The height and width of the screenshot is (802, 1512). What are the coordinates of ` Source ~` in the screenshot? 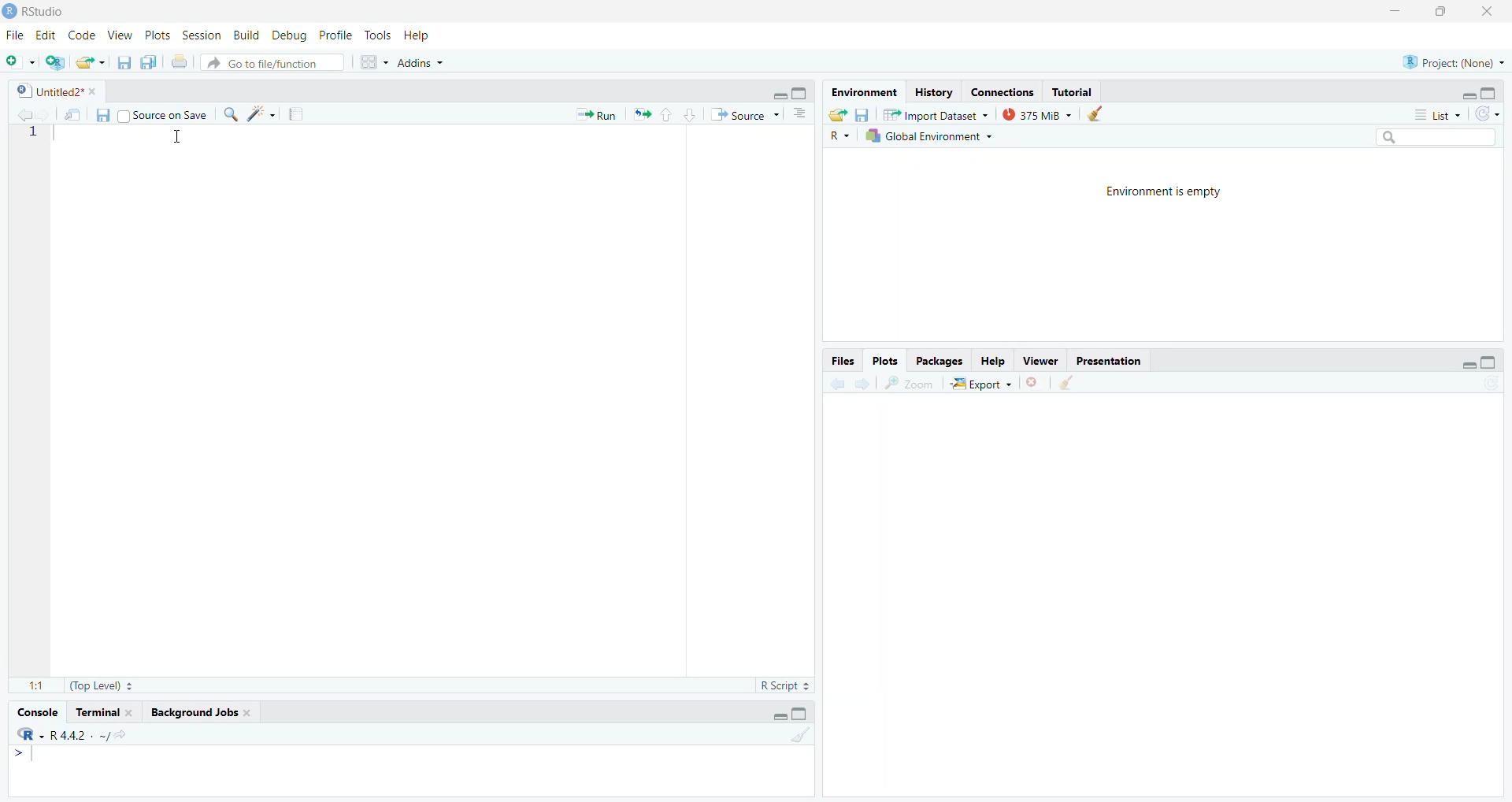 It's located at (749, 116).